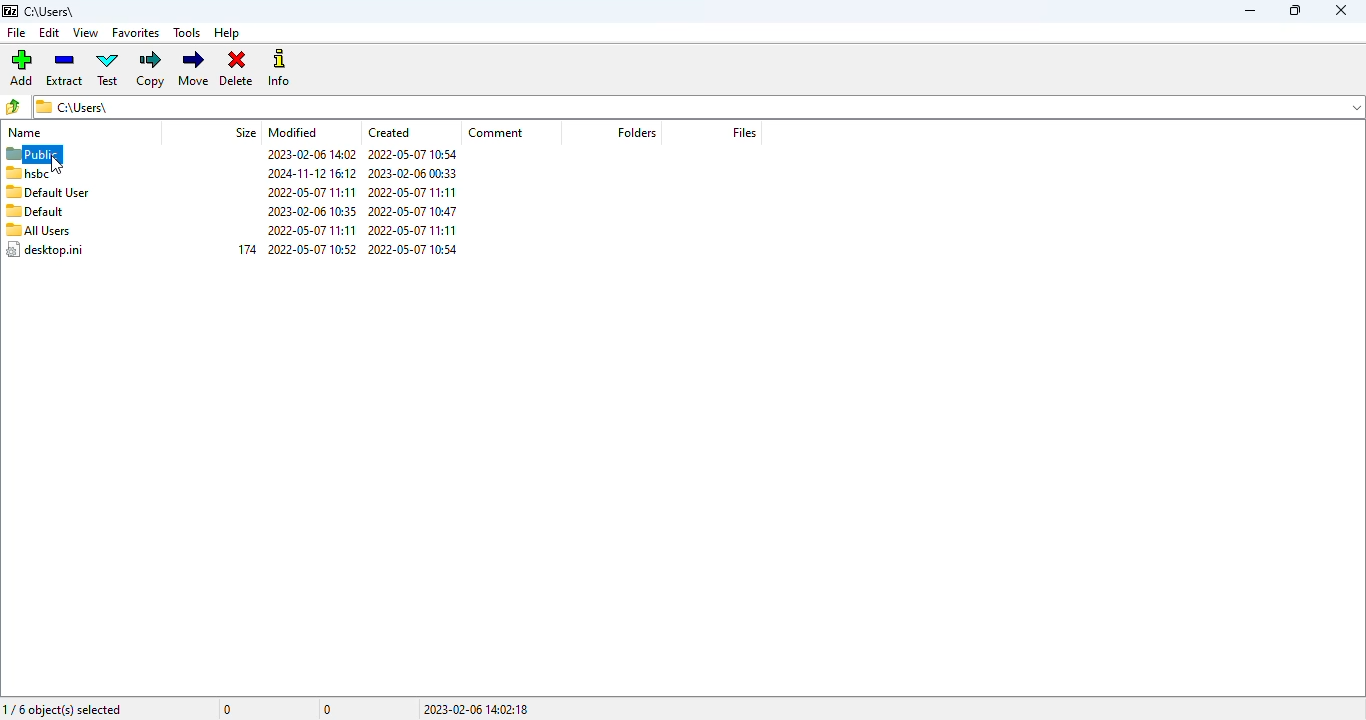 This screenshot has height=720, width=1366. What do you see at coordinates (17, 32) in the screenshot?
I see `file` at bounding box center [17, 32].